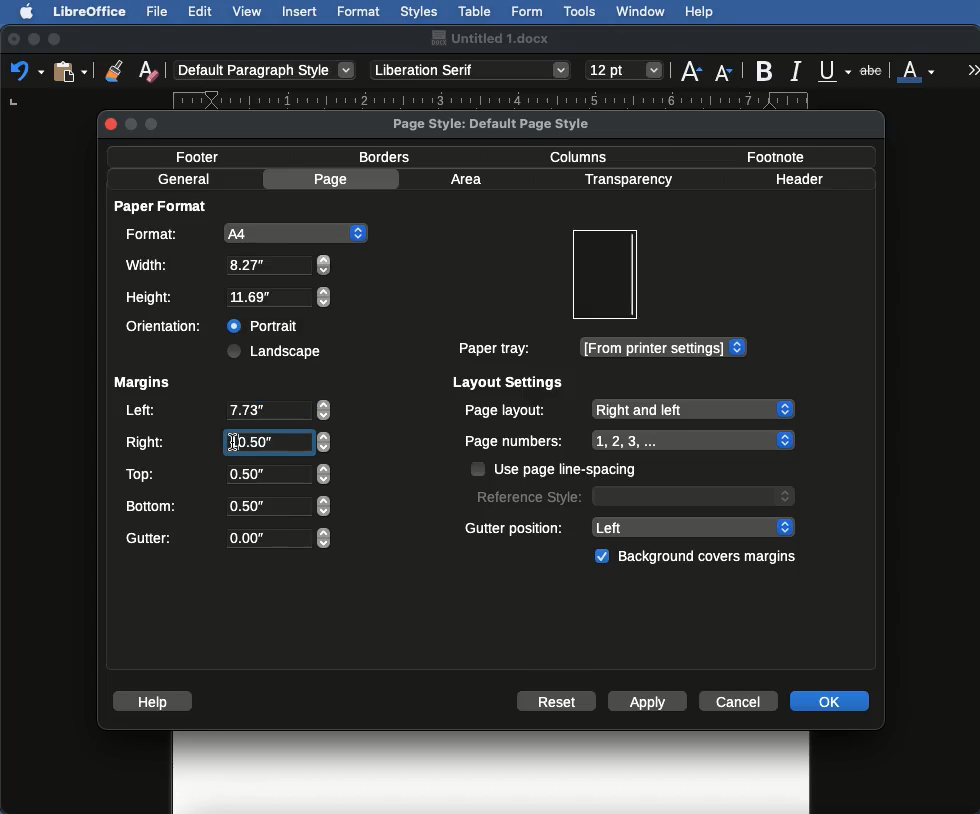  I want to click on Size, so click(626, 71).